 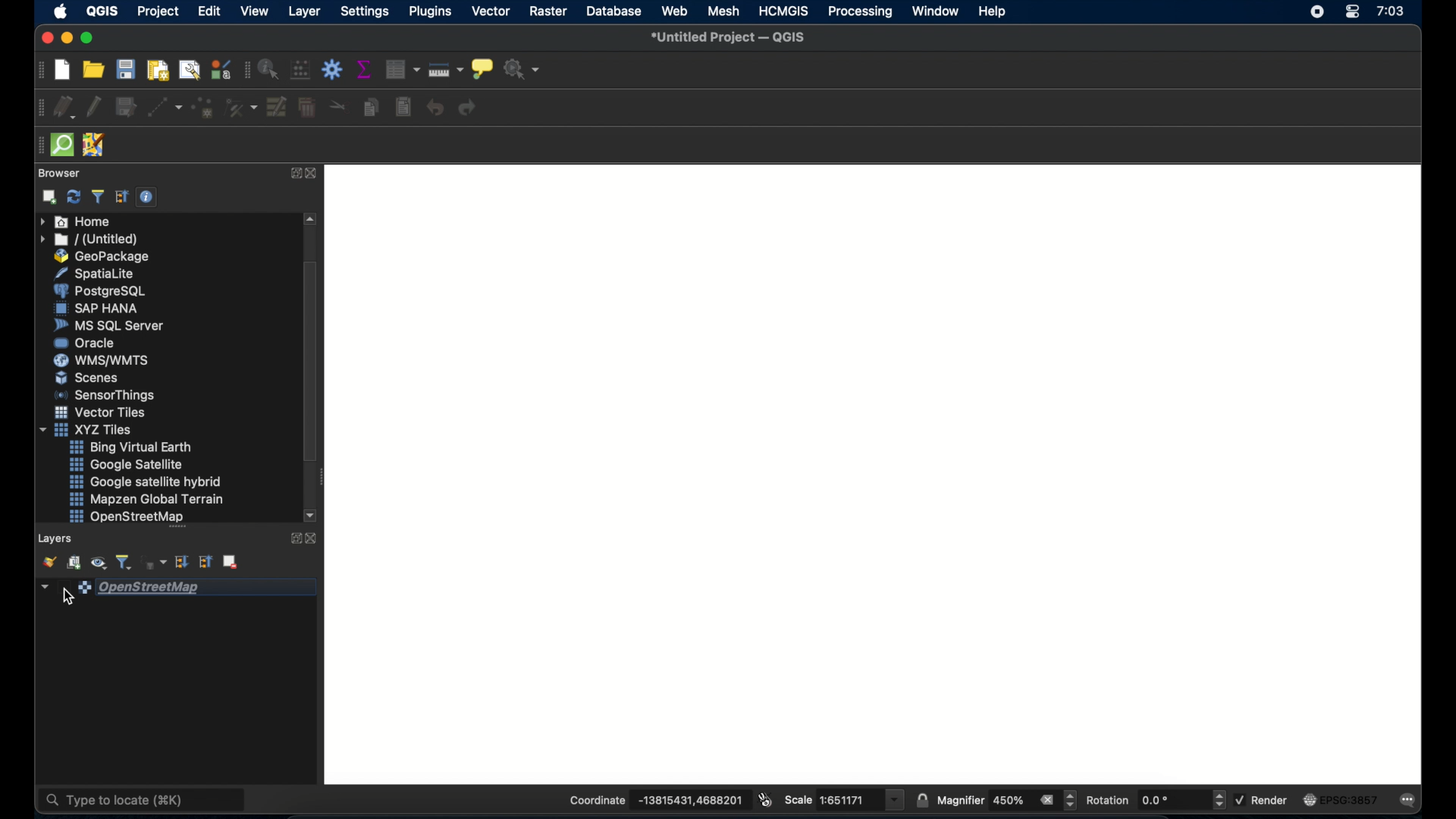 I want to click on save layer. edits, so click(x=125, y=108).